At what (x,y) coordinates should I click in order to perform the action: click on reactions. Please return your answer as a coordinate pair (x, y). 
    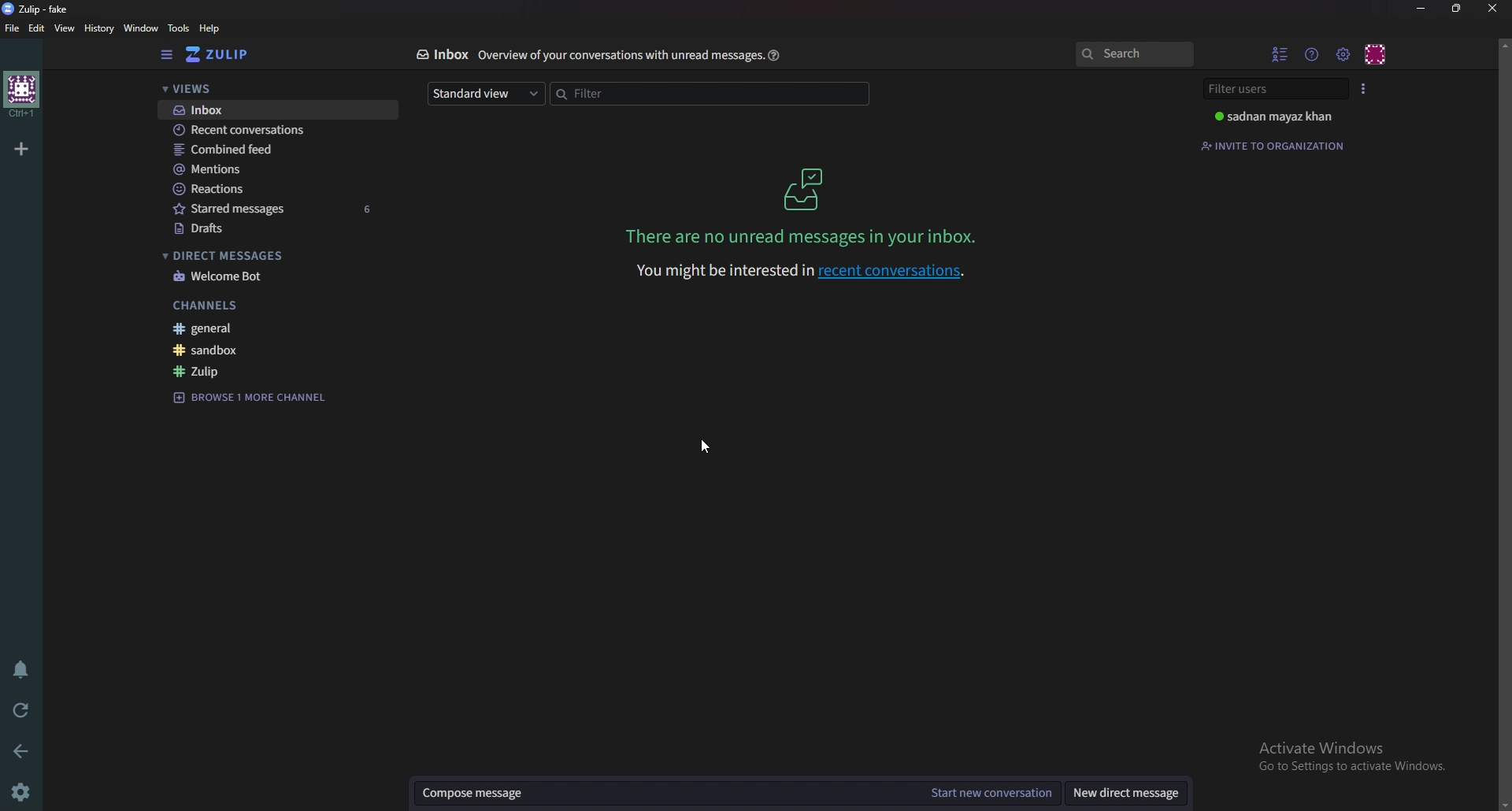
    Looking at the image, I should click on (275, 190).